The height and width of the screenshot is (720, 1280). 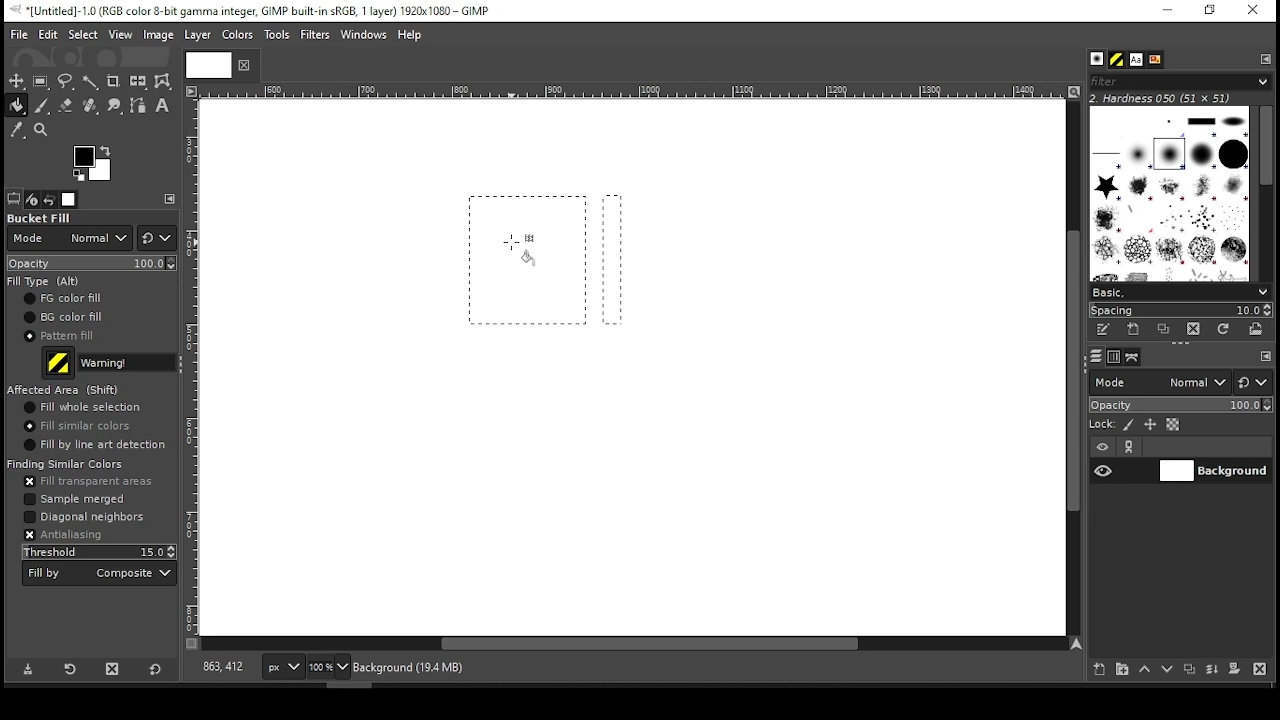 I want to click on scroll bar, so click(x=1265, y=192).